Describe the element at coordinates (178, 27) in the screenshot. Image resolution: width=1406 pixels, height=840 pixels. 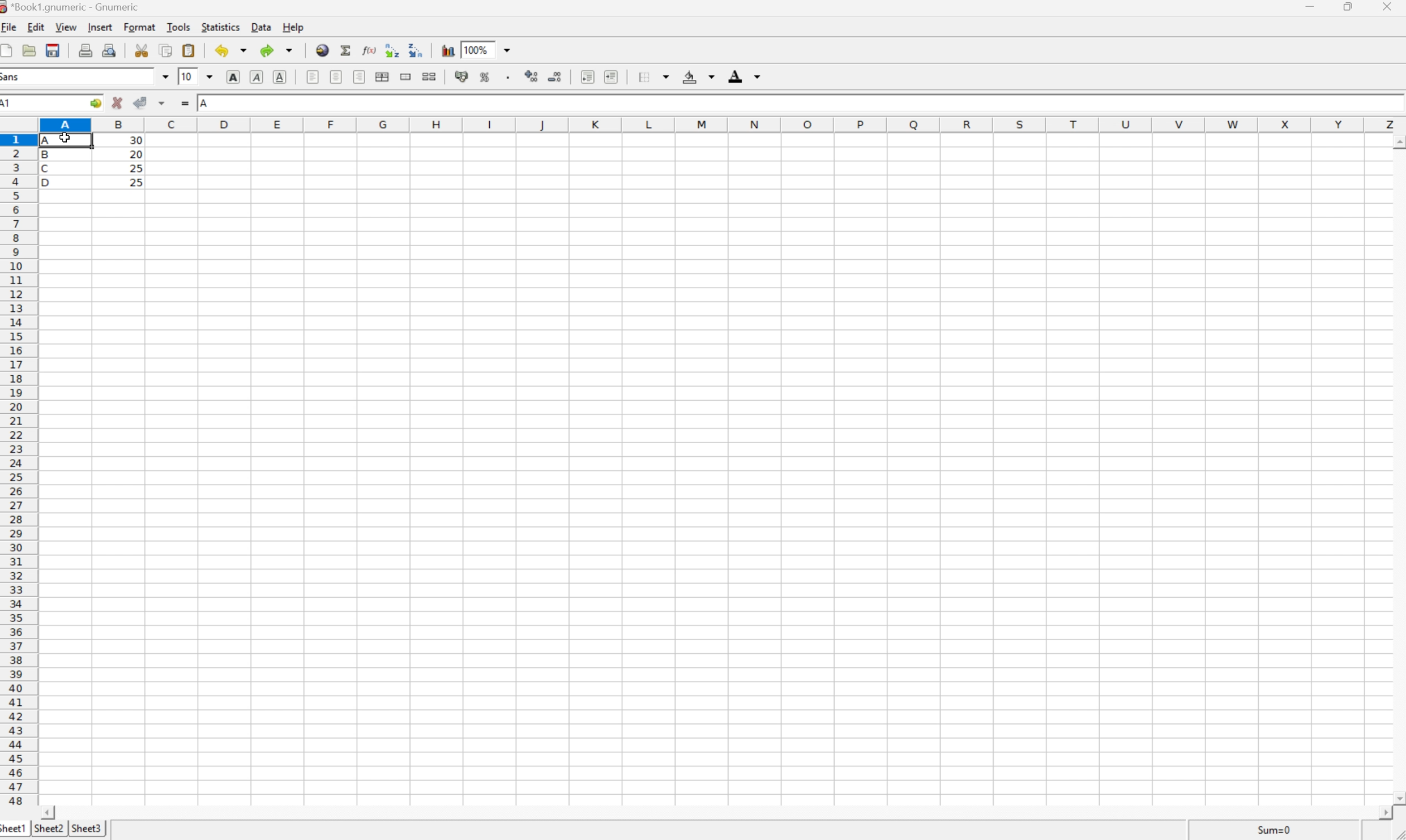
I see `Tools` at that location.